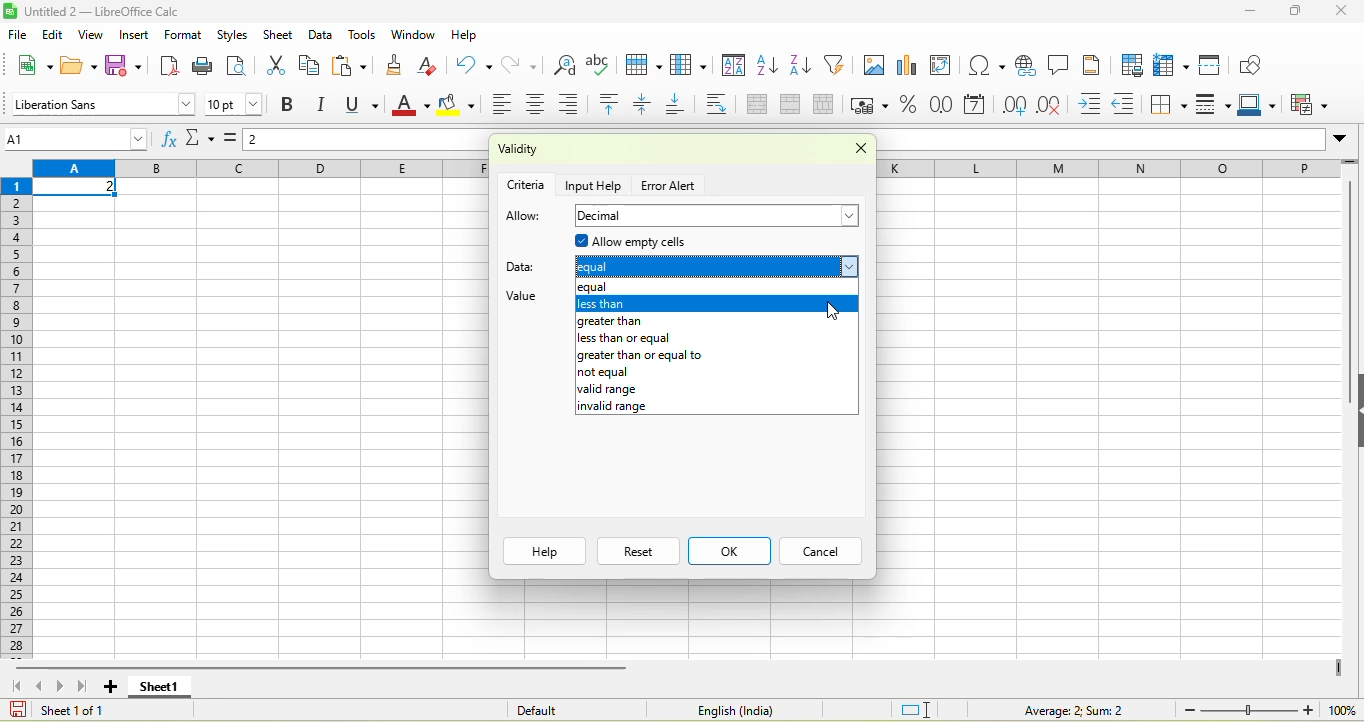 The image size is (1364, 722). I want to click on underline, so click(366, 105).